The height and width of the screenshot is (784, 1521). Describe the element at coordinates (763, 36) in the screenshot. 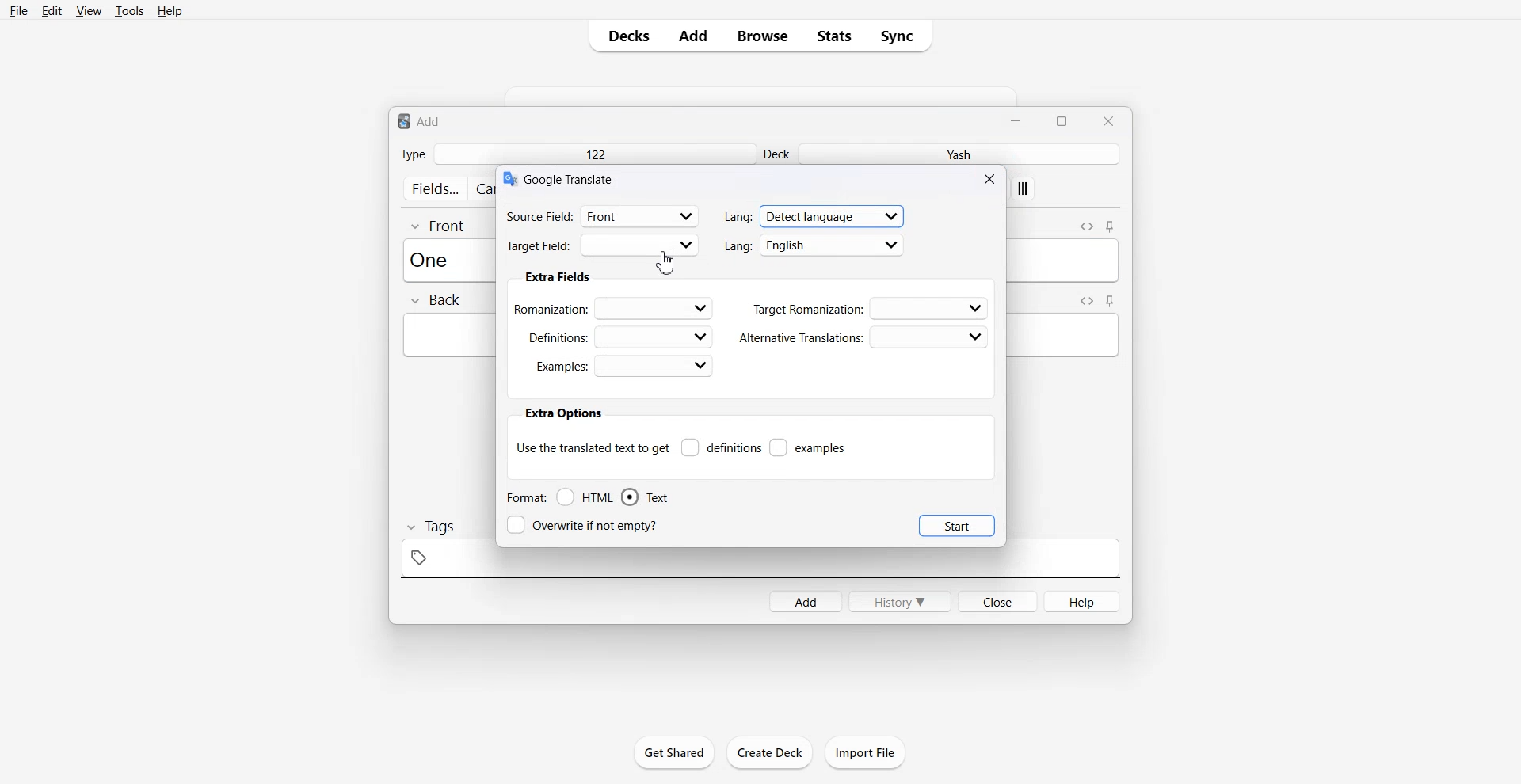

I see `Browse` at that location.